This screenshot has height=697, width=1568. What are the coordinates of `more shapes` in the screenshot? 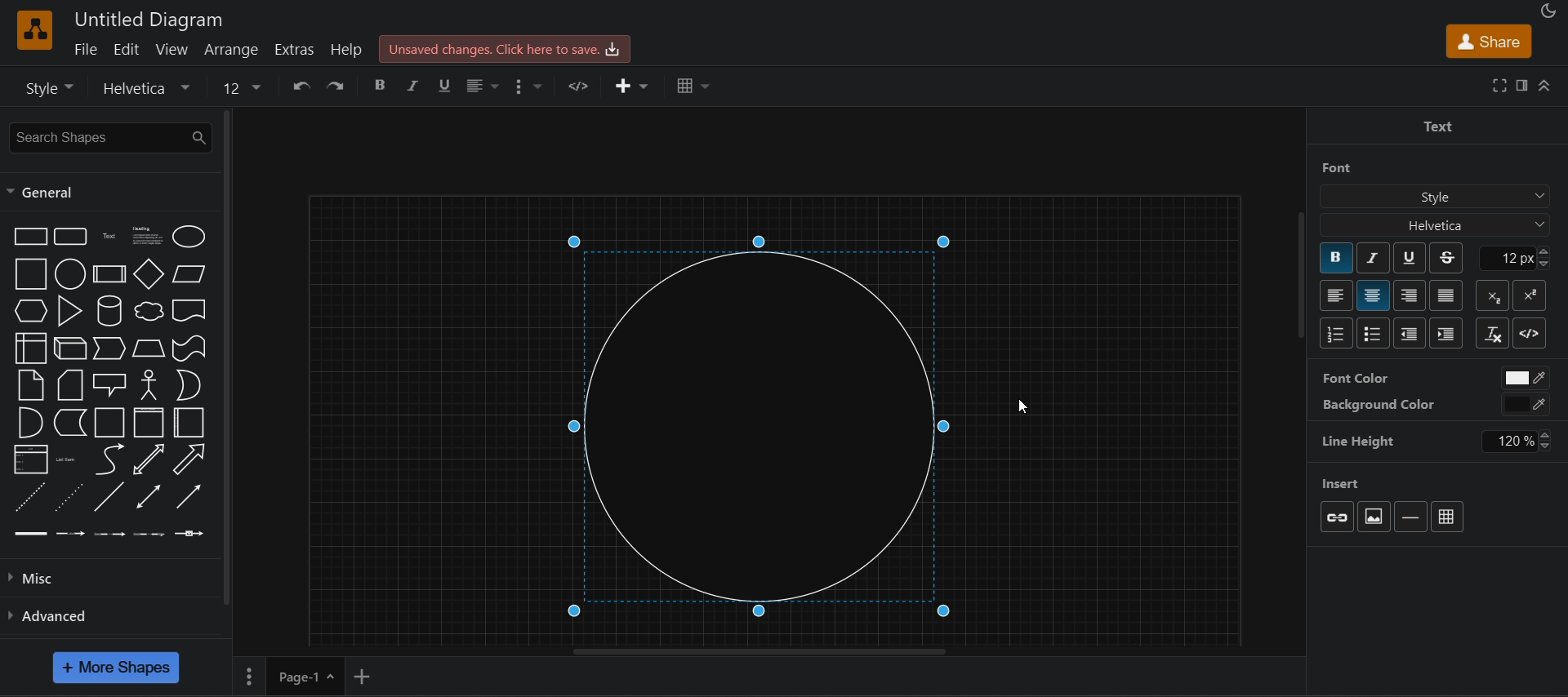 It's located at (116, 668).